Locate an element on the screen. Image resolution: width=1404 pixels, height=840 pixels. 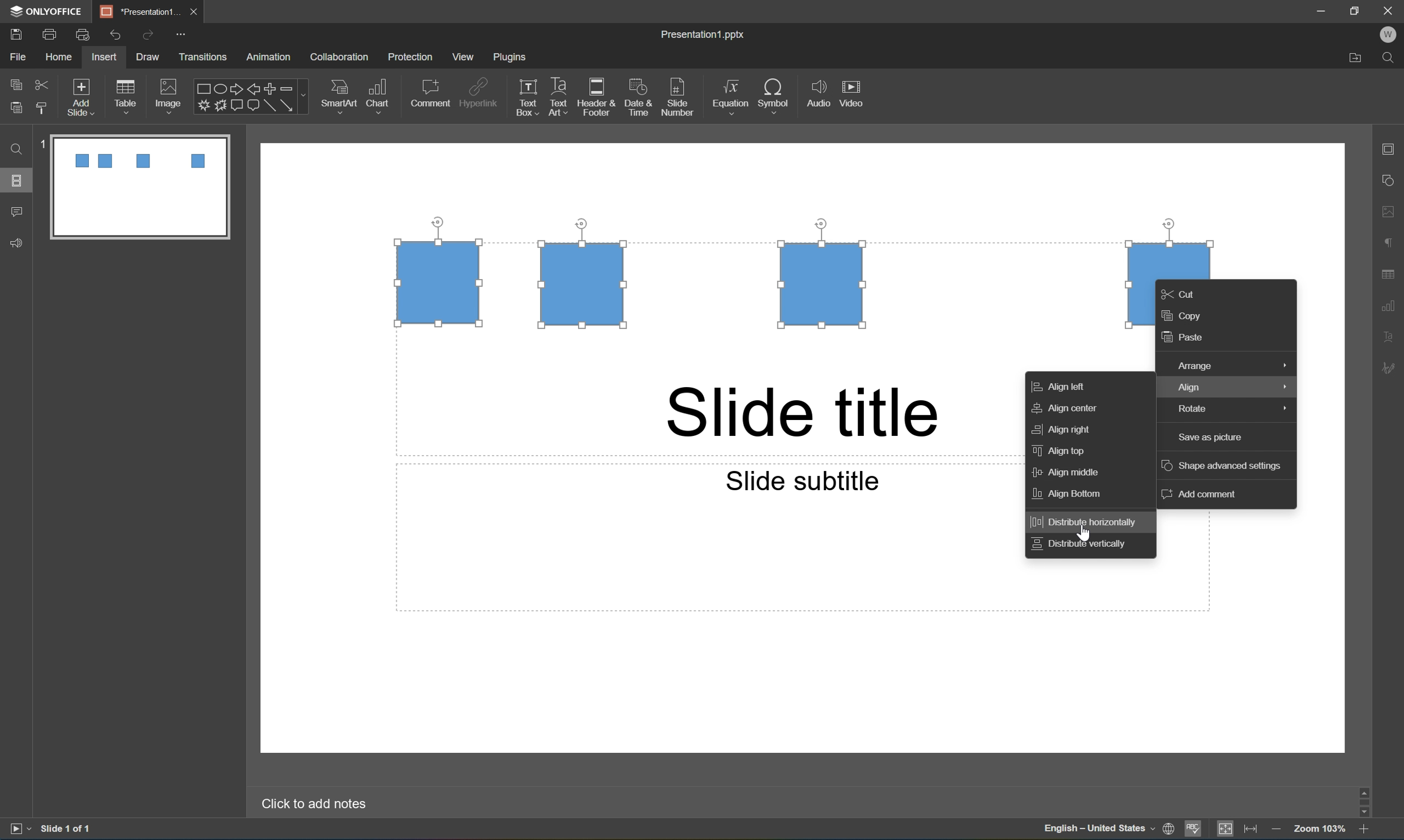
Presentation1.pptx is located at coordinates (704, 36).